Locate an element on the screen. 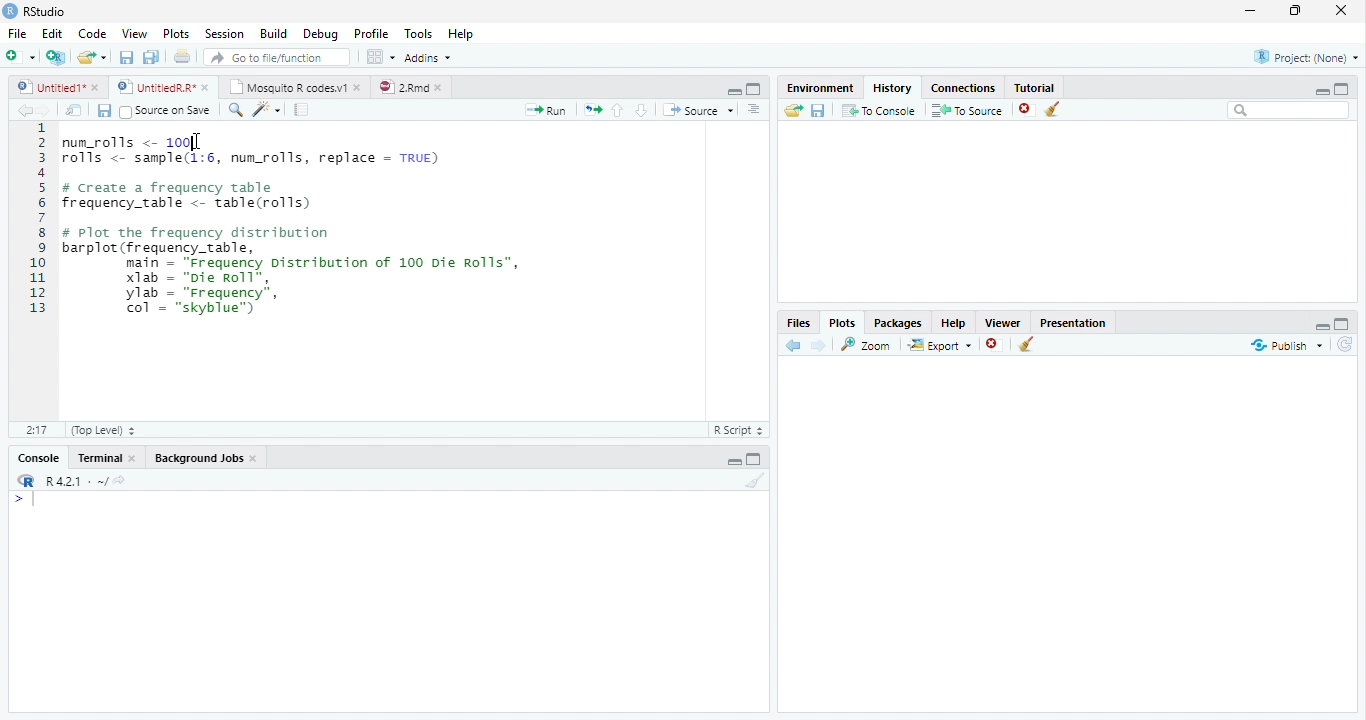  Find/Replace is located at coordinates (233, 110).